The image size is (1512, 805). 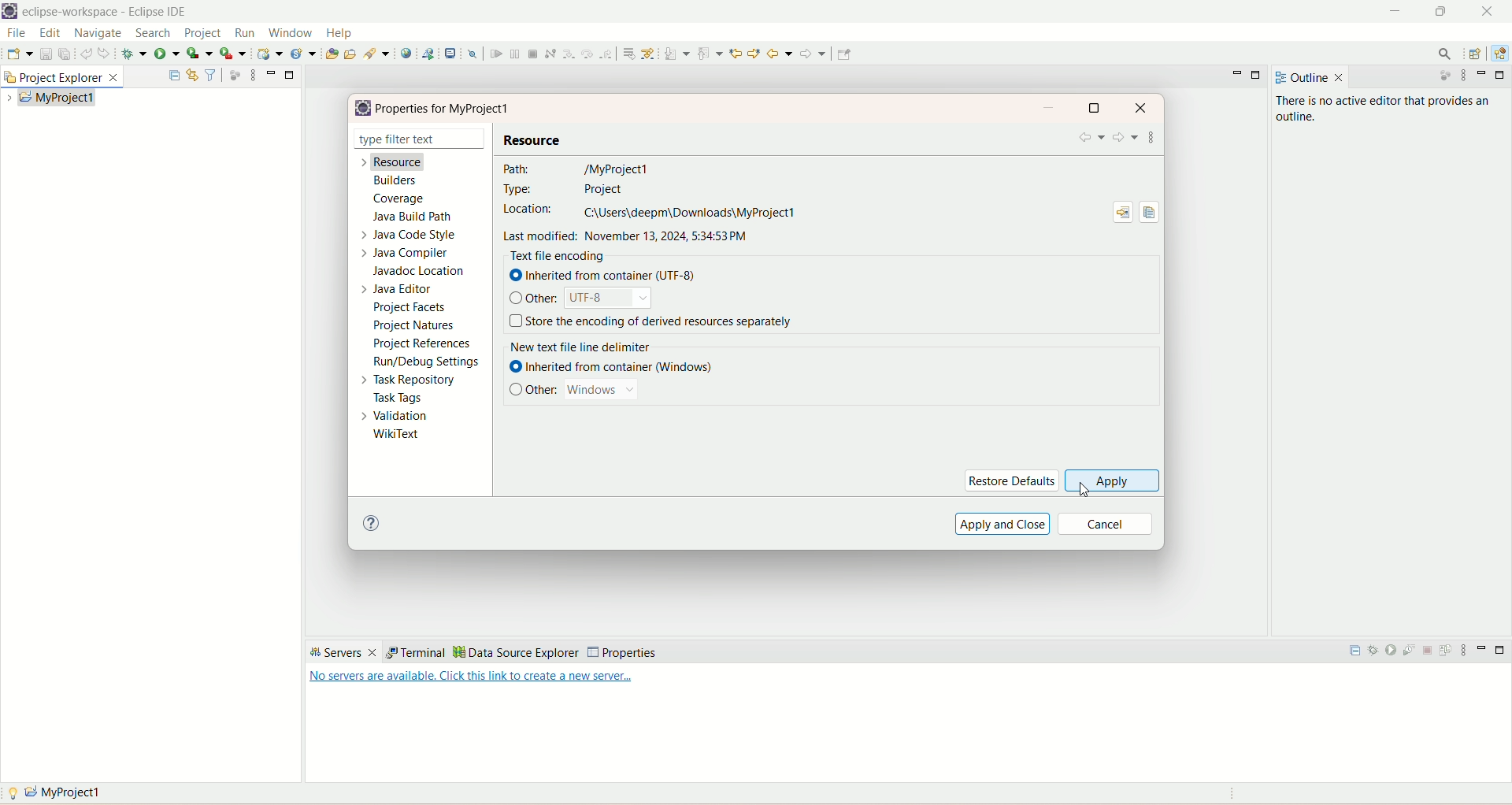 I want to click on use step filters, so click(x=651, y=53).